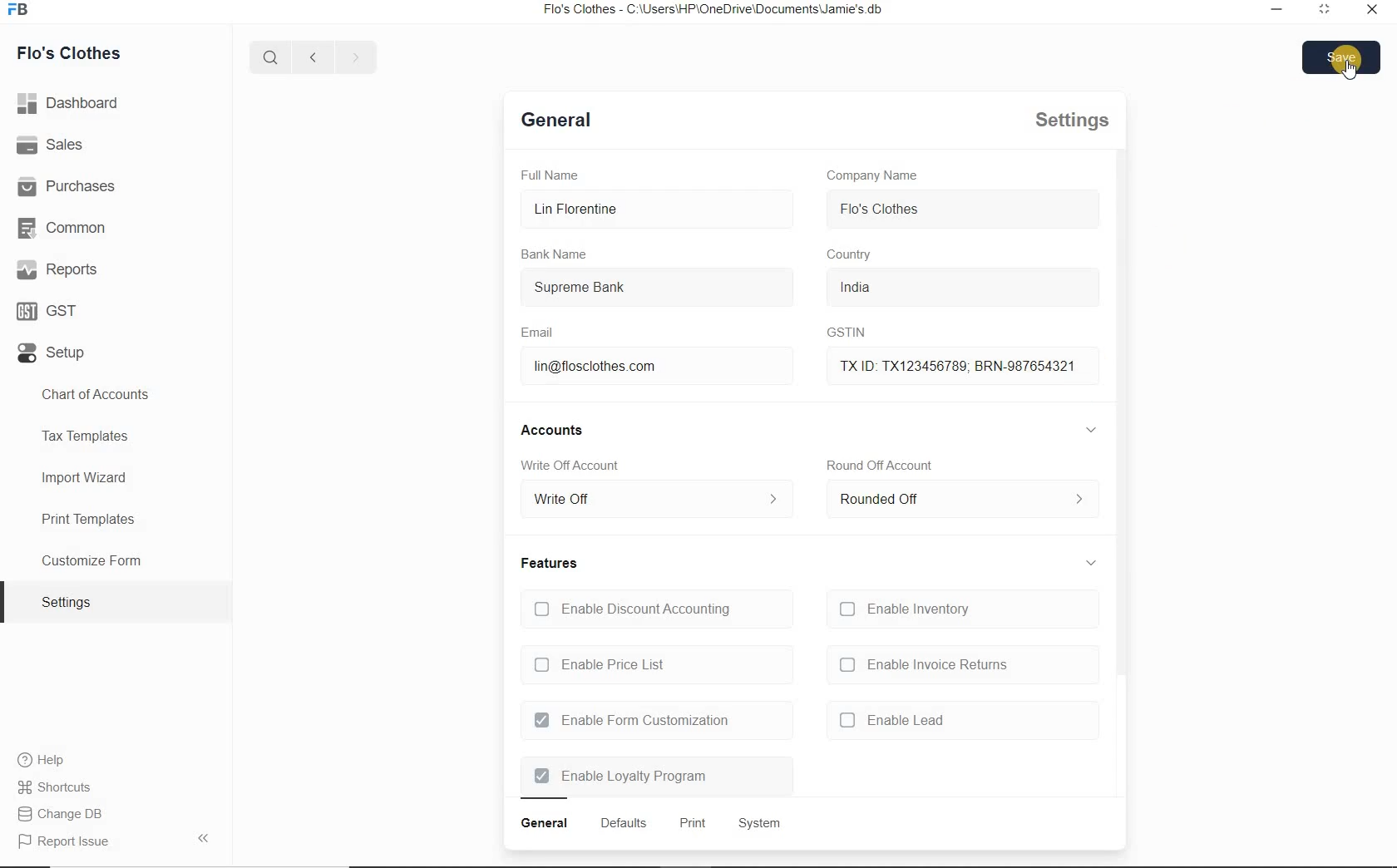 The width and height of the screenshot is (1397, 868). What do you see at coordinates (545, 824) in the screenshot?
I see `general` at bounding box center [545, 824].